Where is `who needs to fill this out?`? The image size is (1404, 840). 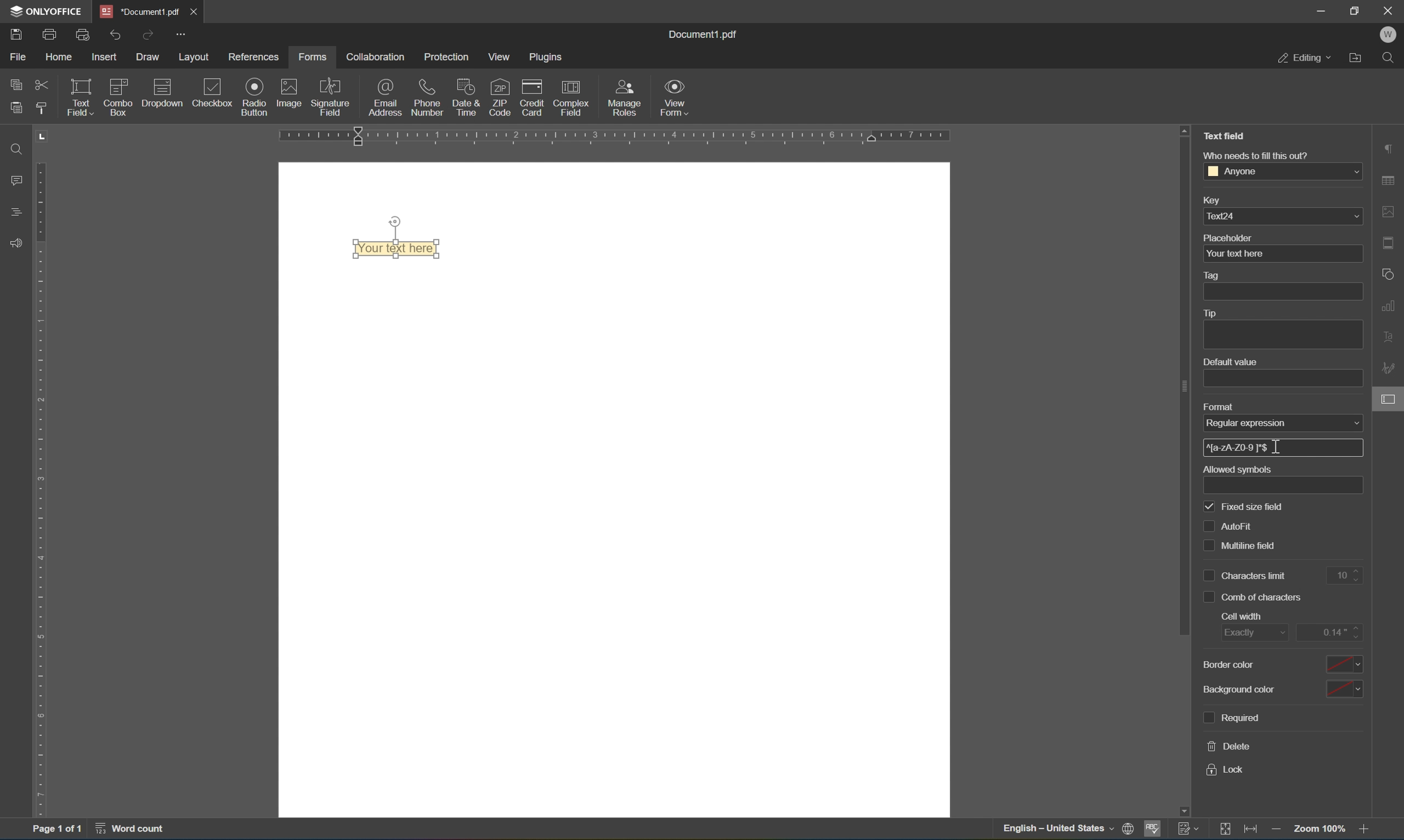 who needs to fill this out? is located at coordinates (1255, 155).